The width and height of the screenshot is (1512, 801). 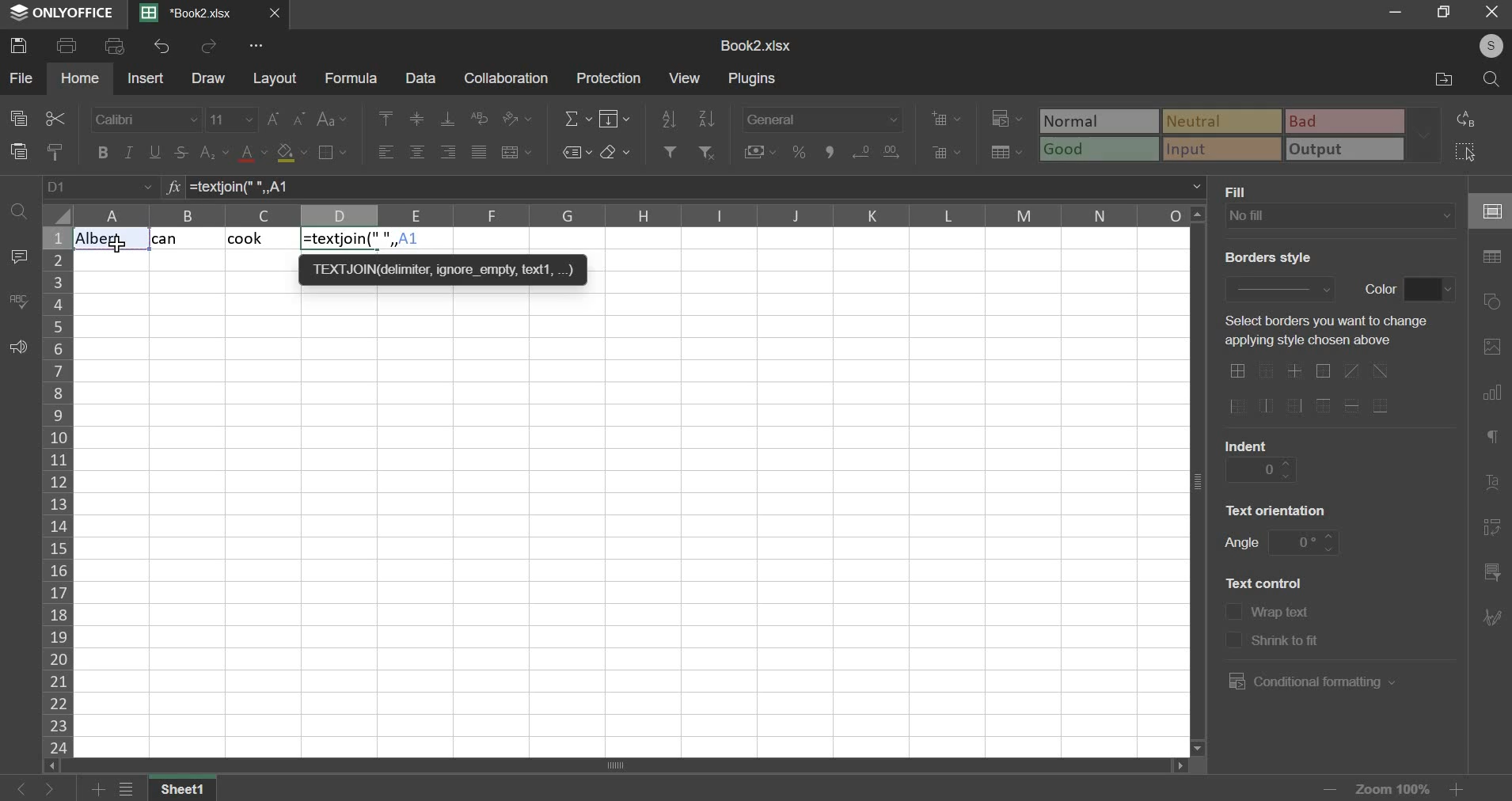 I want to click on align left, so click(x=386, y=152).